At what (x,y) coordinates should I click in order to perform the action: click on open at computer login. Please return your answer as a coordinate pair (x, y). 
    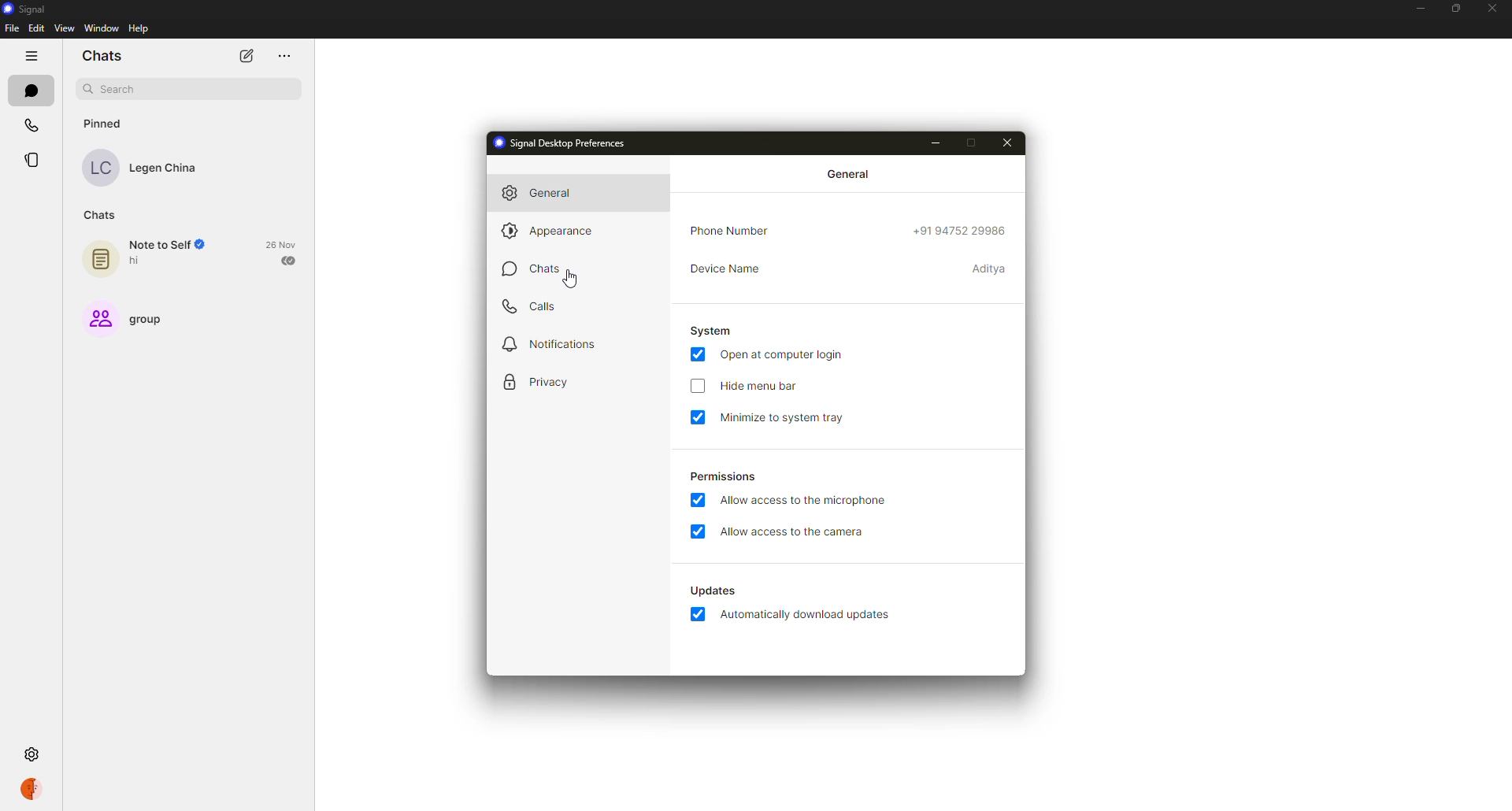
    Looking at the image, I should click on (787, 354).